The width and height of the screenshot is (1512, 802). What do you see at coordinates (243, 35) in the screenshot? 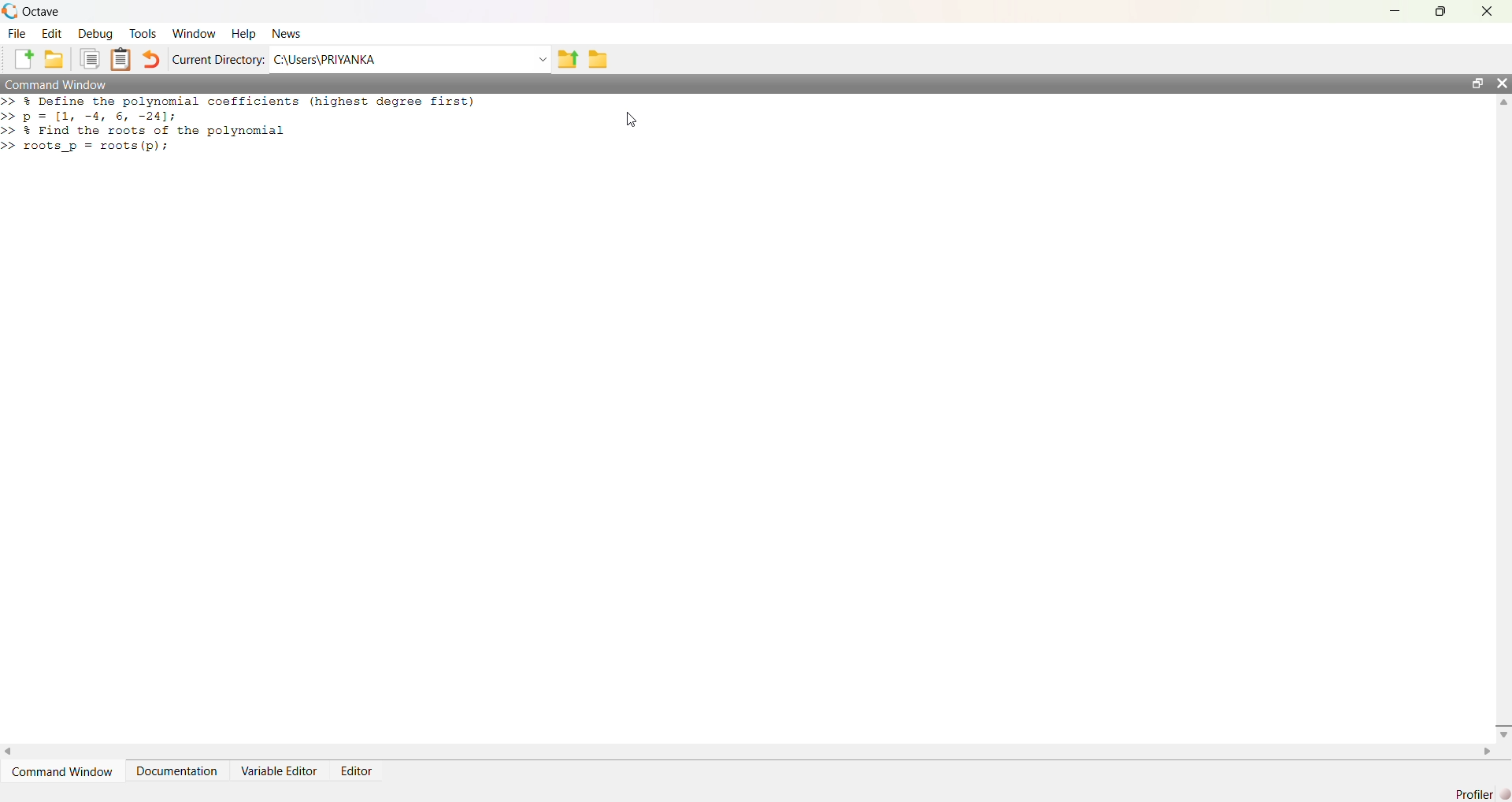
I see `Help` at bounding box center [243, 35].